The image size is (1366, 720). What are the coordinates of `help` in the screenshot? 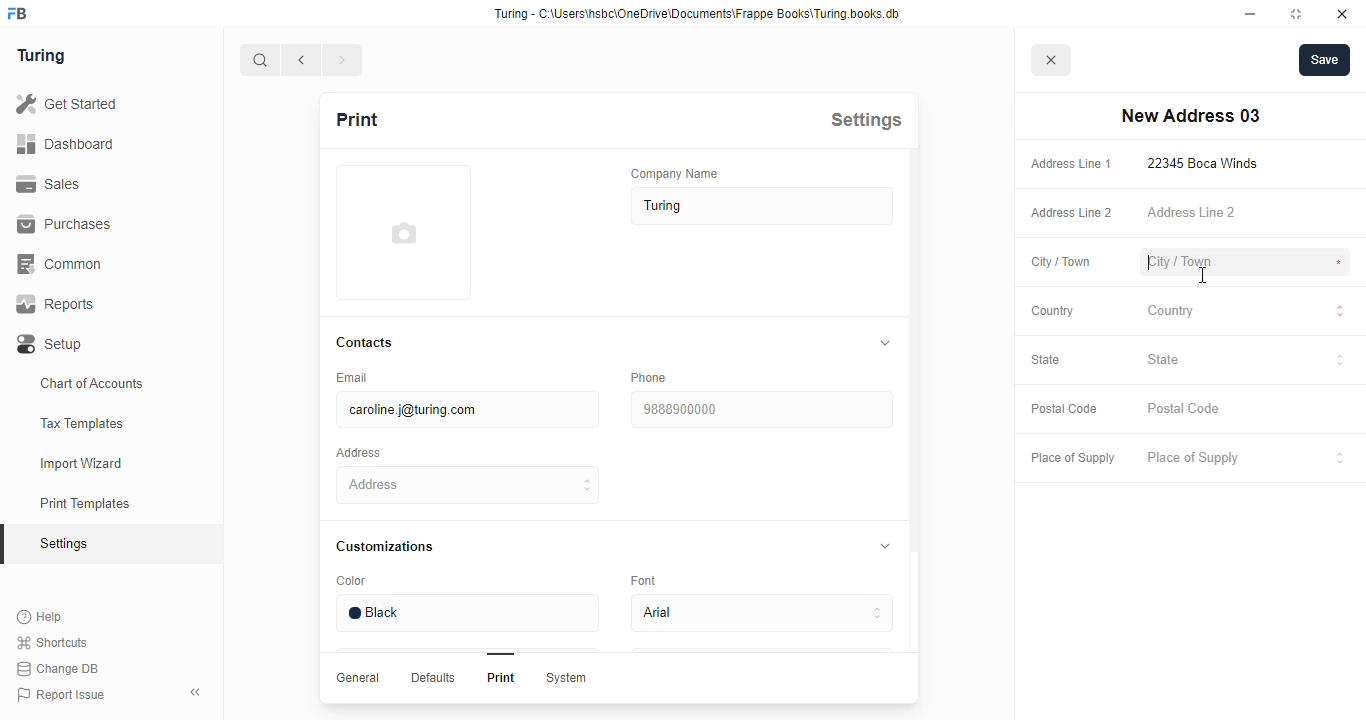 It's located at (41, 617).